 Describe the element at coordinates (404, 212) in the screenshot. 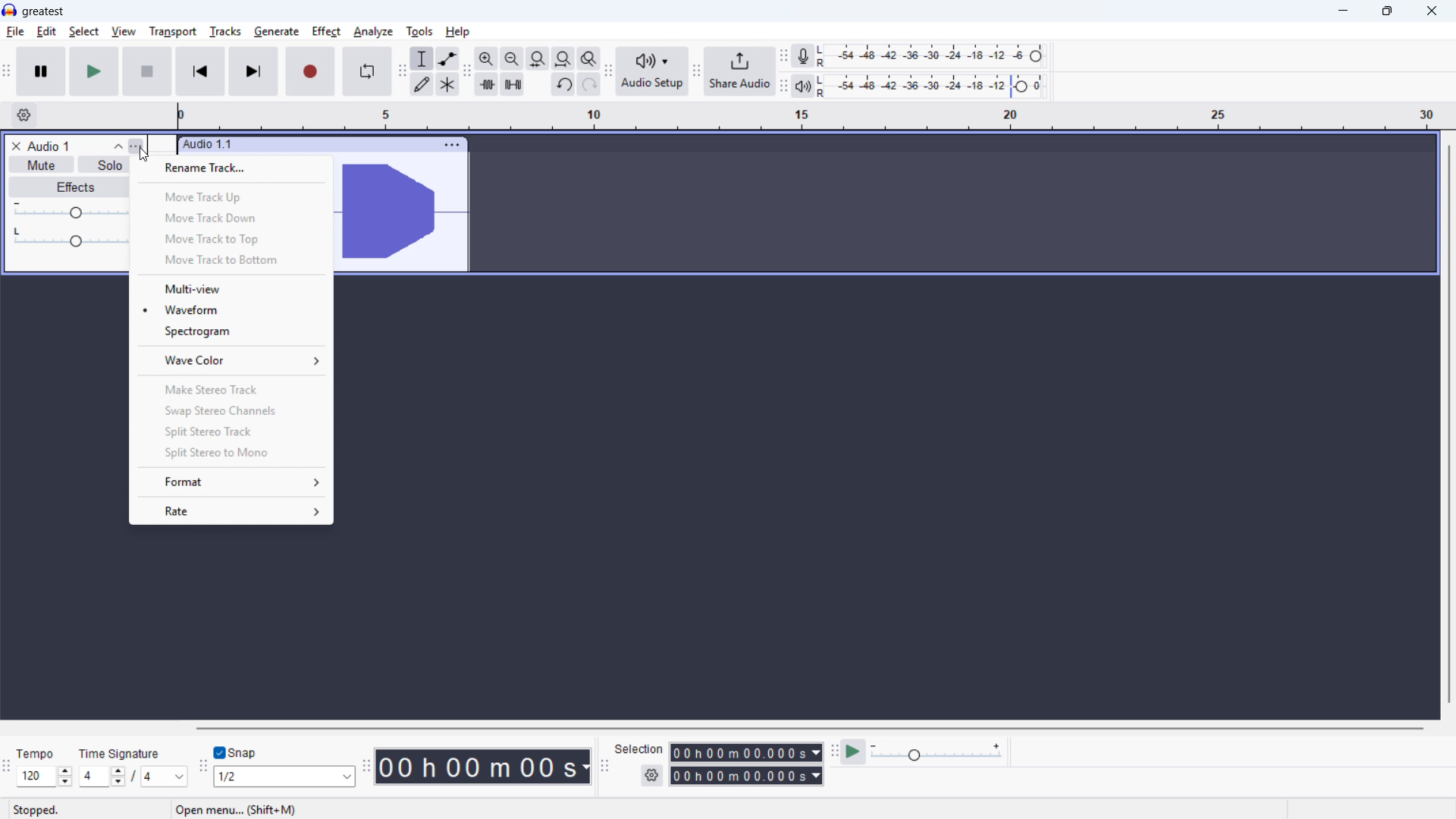

I see `waveform` at that location.